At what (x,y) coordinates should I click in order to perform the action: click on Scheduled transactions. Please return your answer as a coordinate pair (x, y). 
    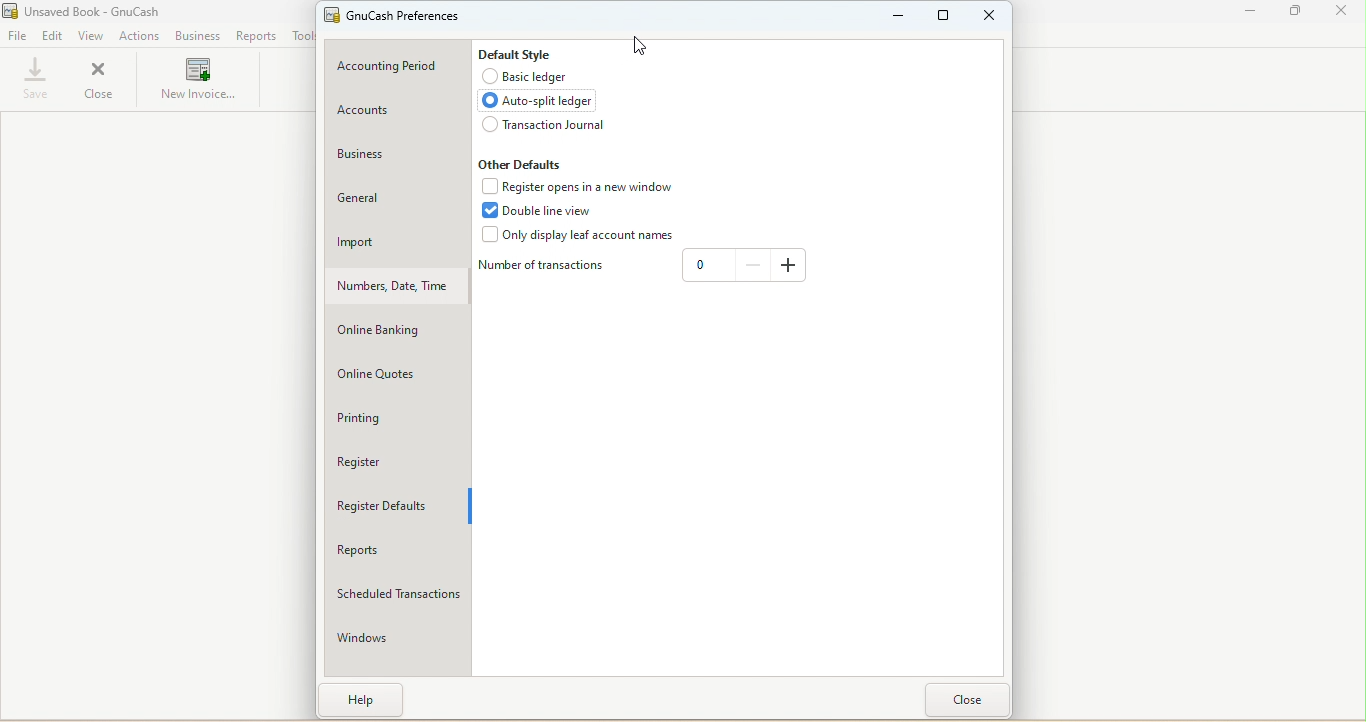
    Looking at the image, I should click on (398, 592).